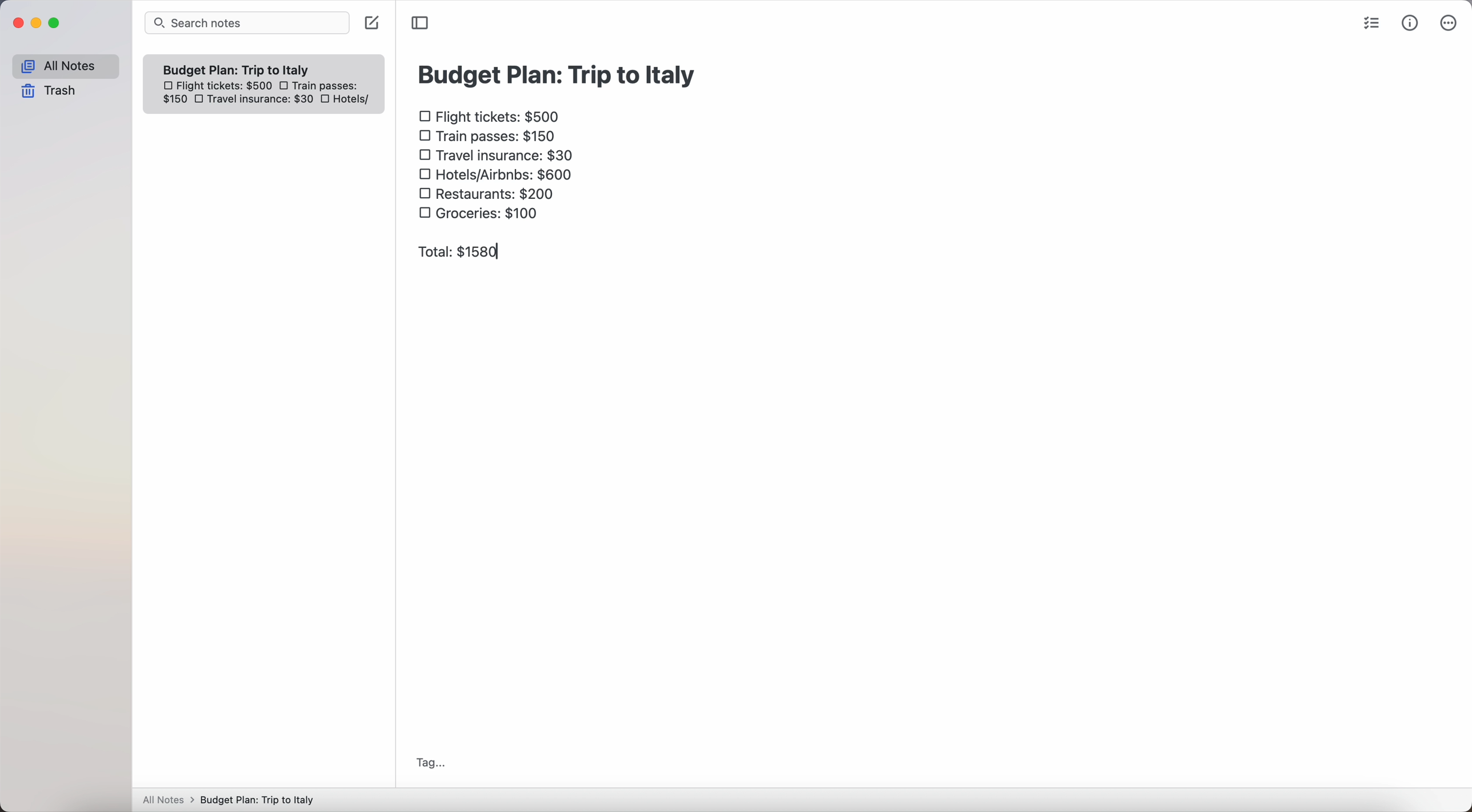 The image size is (1472, 812). What do you see at coordinates (217, 87) in the screenshot?
I see `flight tickets: $500` at bounding box center [217, 87].